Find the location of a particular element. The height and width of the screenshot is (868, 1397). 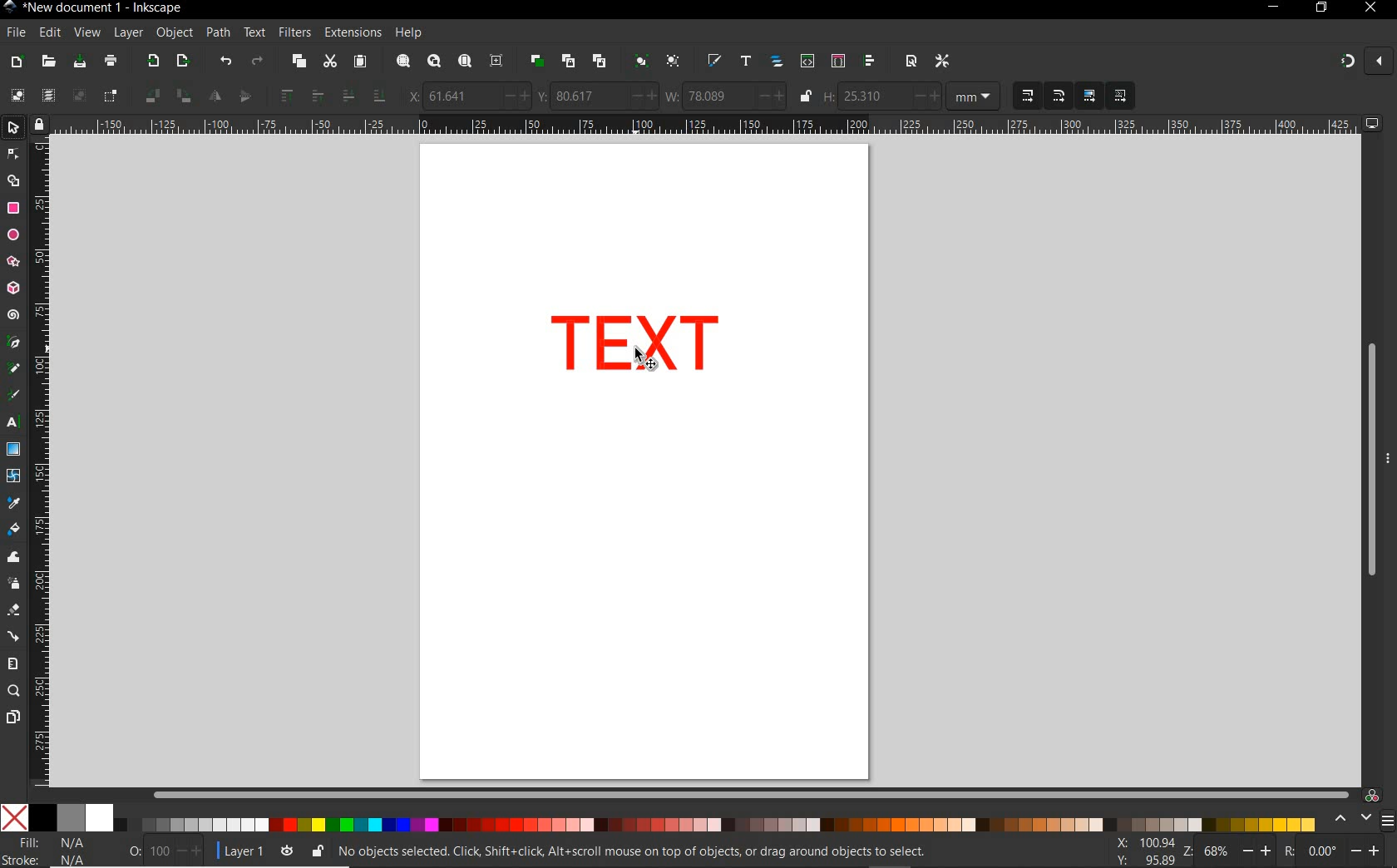

MOVE PATTERNS is located at coordinates (1119, 96).